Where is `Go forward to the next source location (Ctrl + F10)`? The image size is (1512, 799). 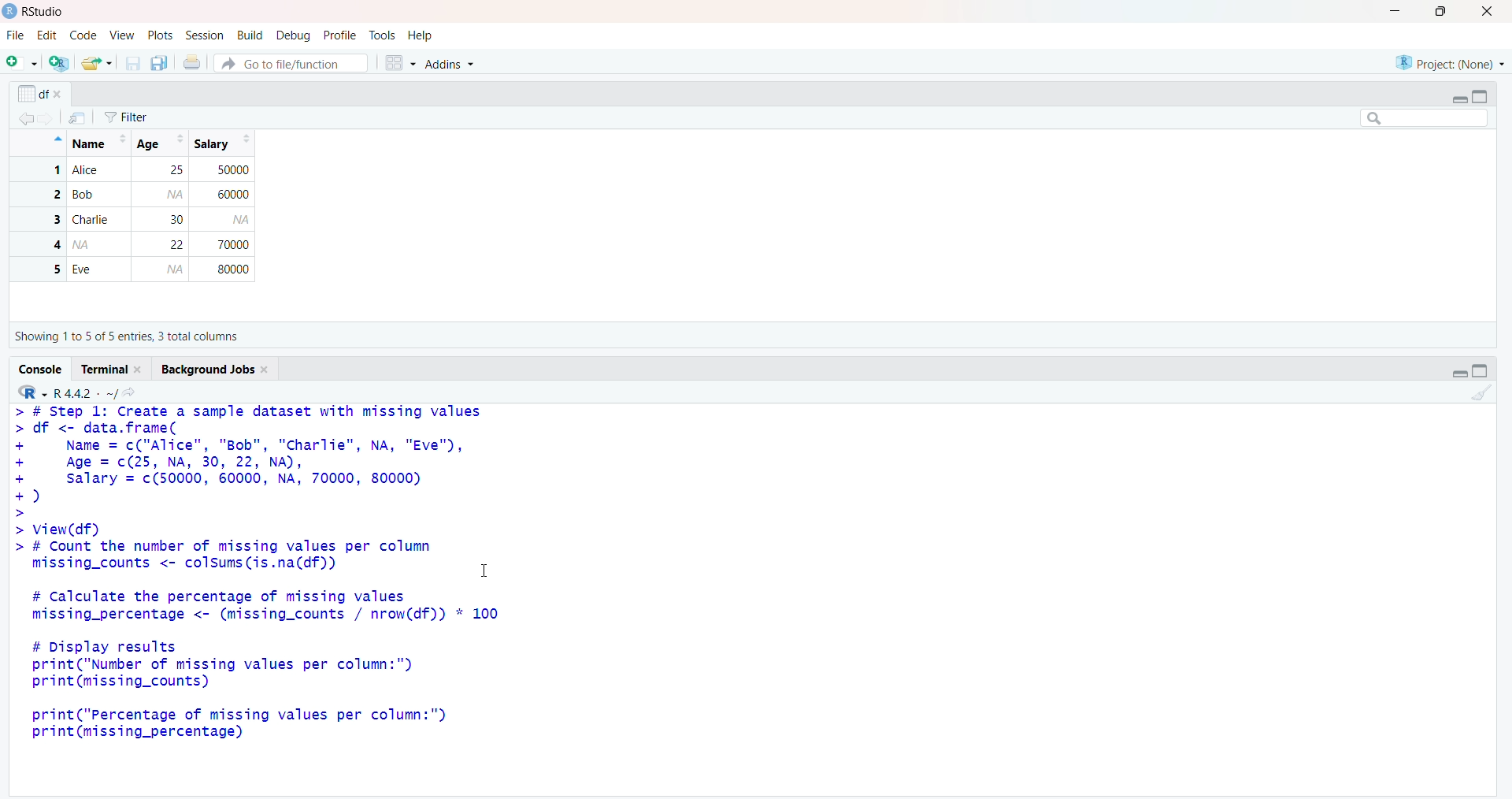
Go forward to the next source location (Ctrl + F10) is located at coordinates (51, 121).